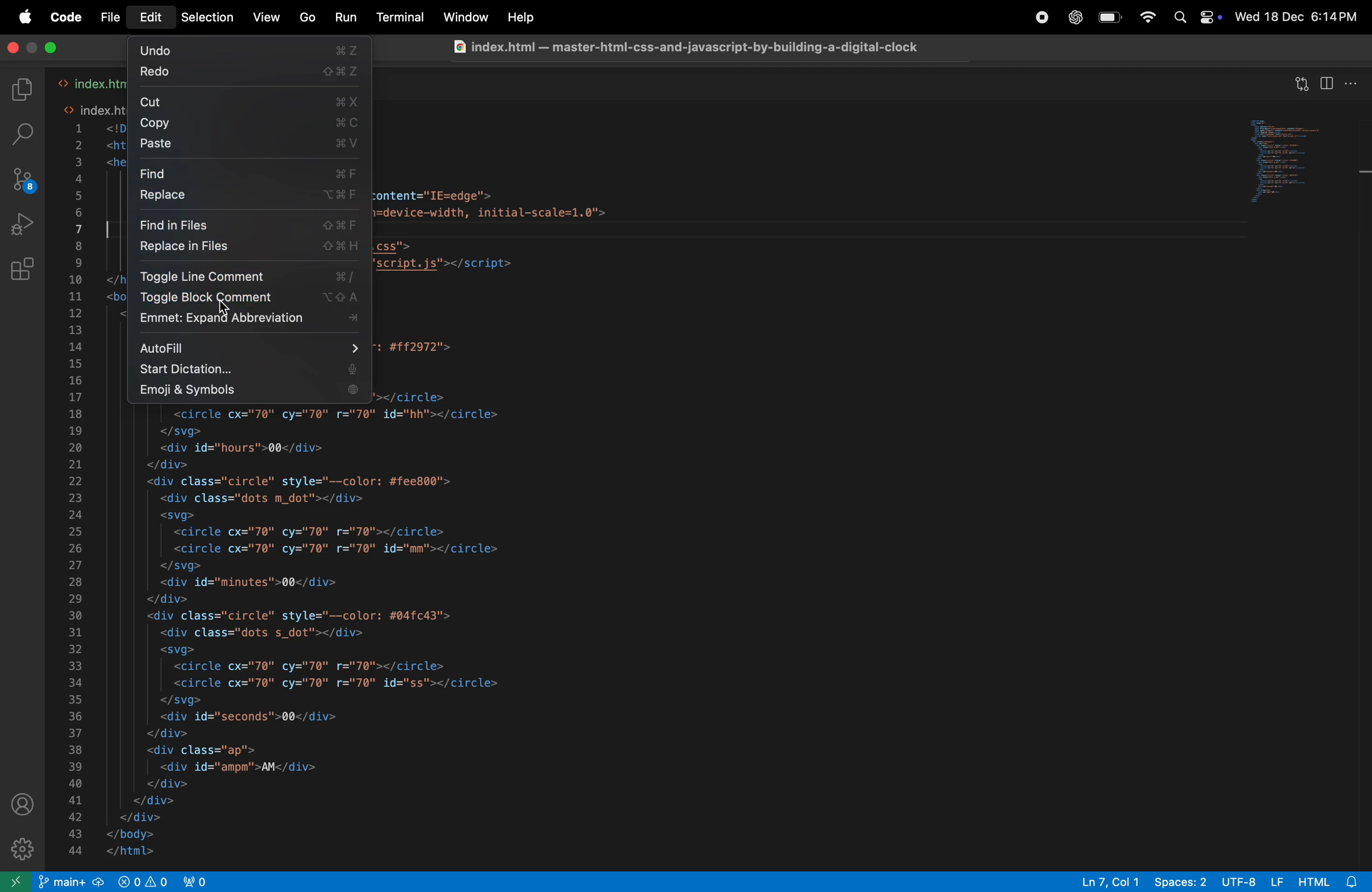 The height and width of the screenshot is (892, 1372). I want to click on edit, so click(151, 18).